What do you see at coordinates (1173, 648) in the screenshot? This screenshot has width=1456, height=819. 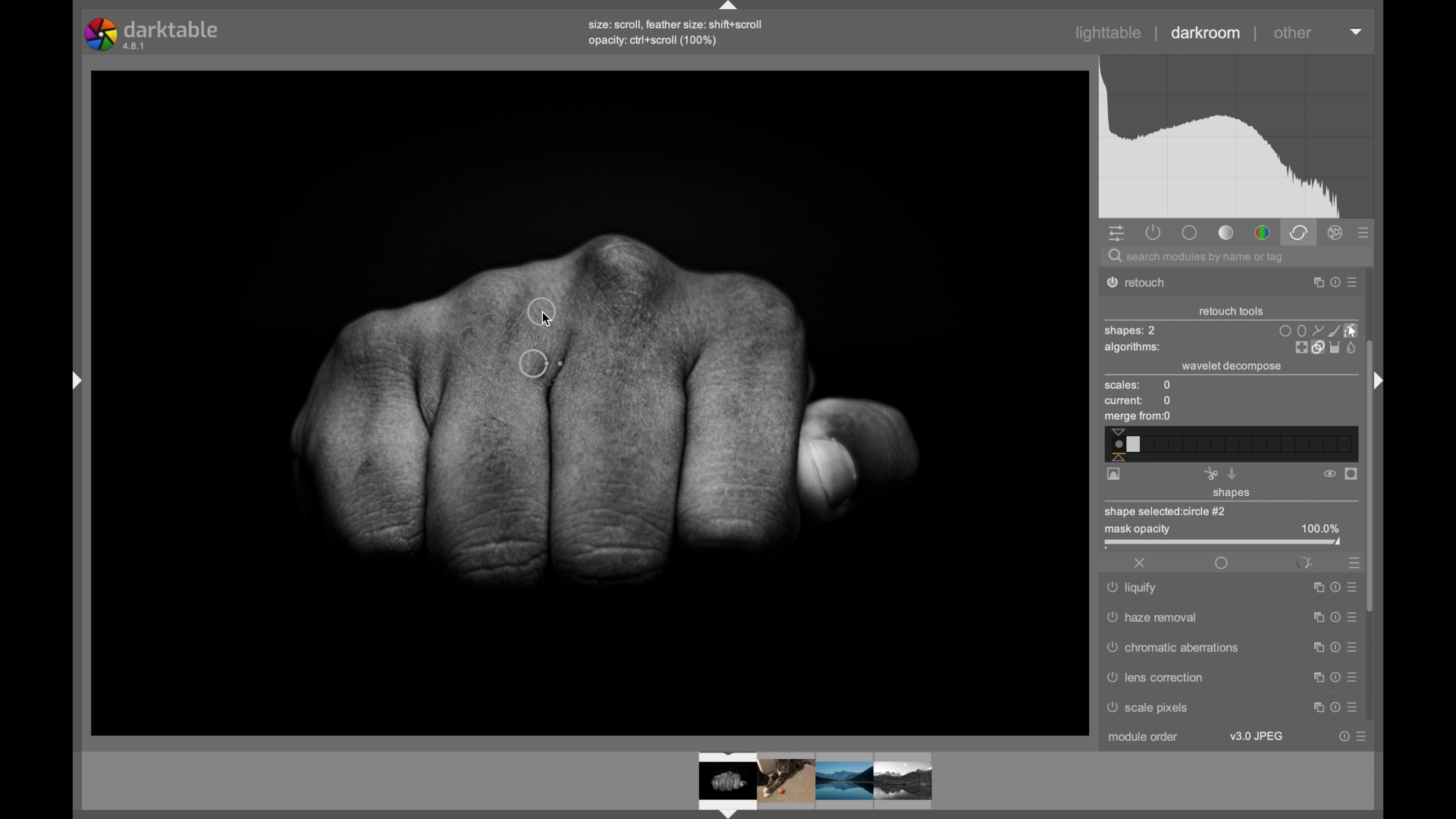 I see `chromatic aberrations` at bounding box center [1173, 648].